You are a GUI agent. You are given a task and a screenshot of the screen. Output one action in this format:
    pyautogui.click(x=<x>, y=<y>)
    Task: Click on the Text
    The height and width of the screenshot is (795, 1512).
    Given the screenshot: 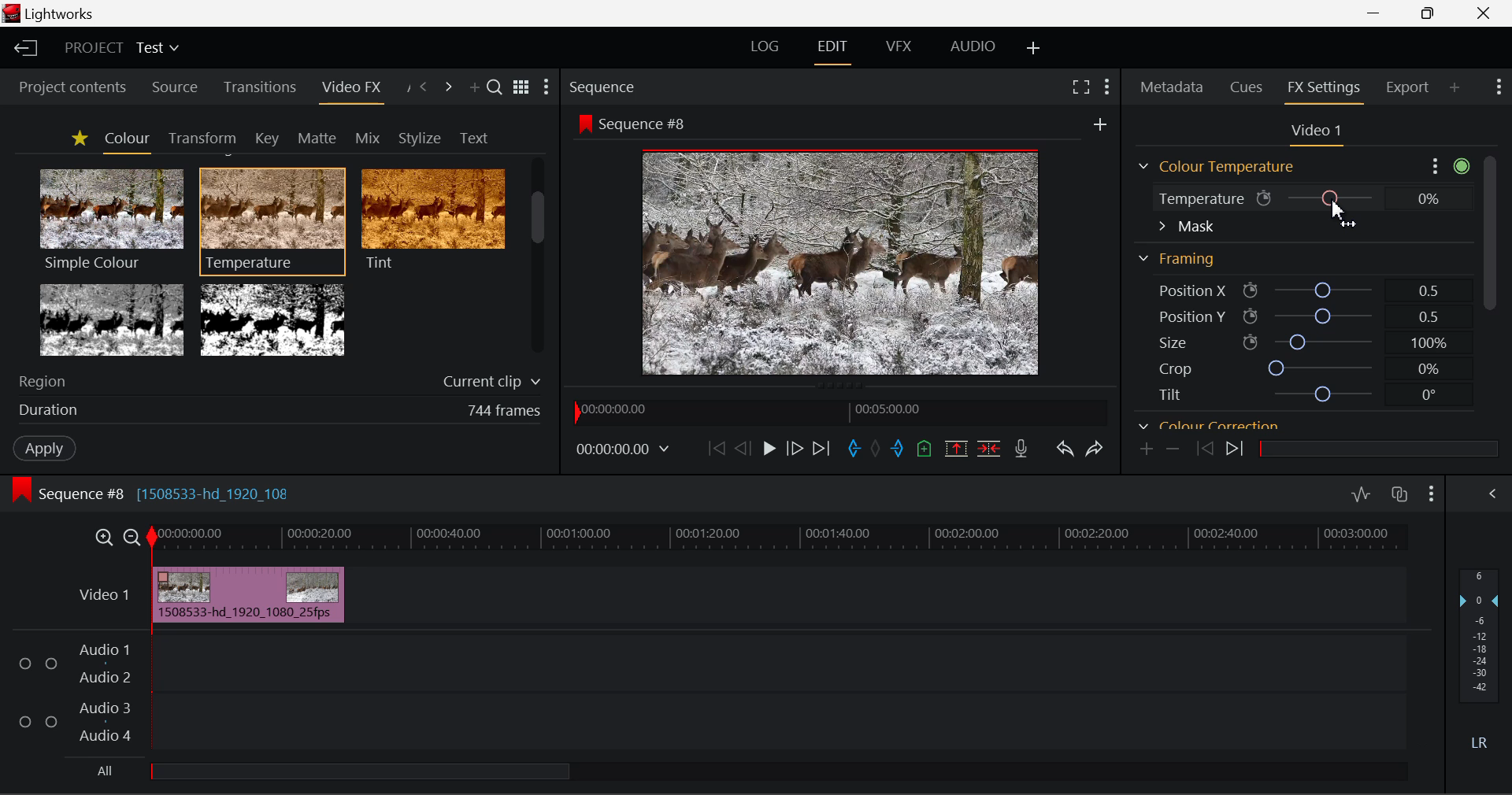 What is the action you would take?
    pyautogui.click(x=471, y=137)
    